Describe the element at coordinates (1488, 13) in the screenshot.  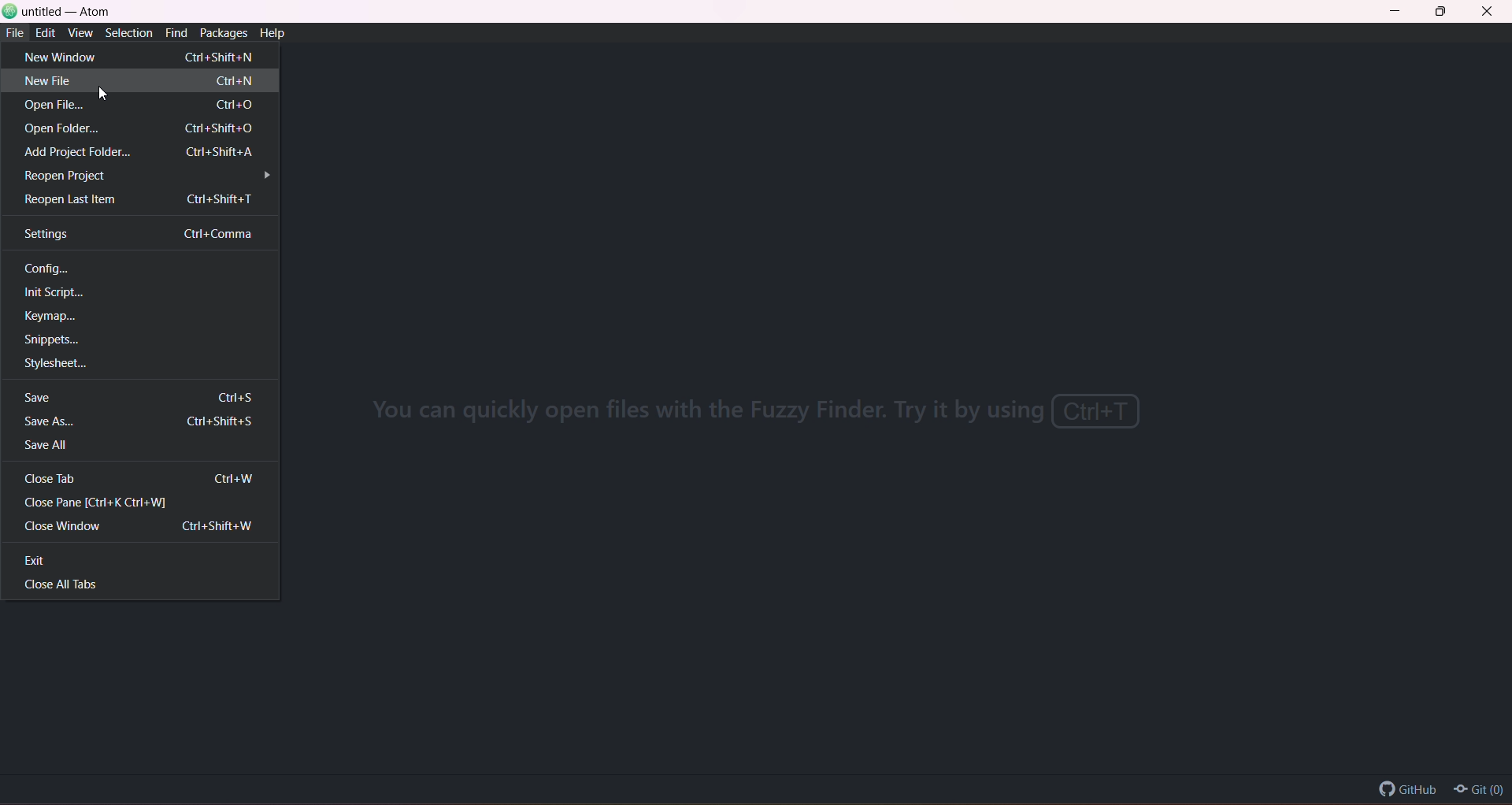
I see `Close` at that location.